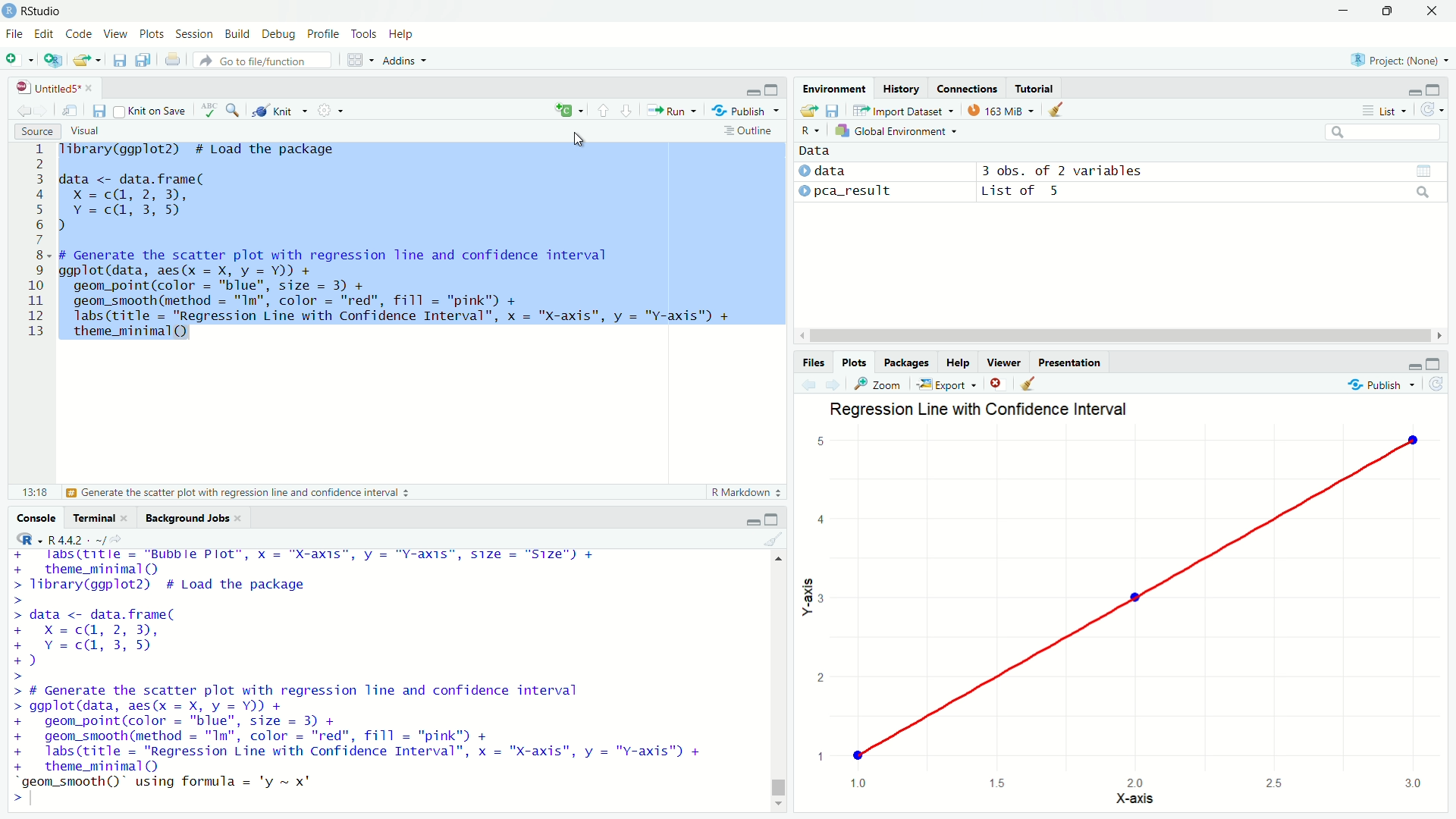  Describe the element at coordinates (118, 60) in the screenshot. I see `Save current document` at that location.